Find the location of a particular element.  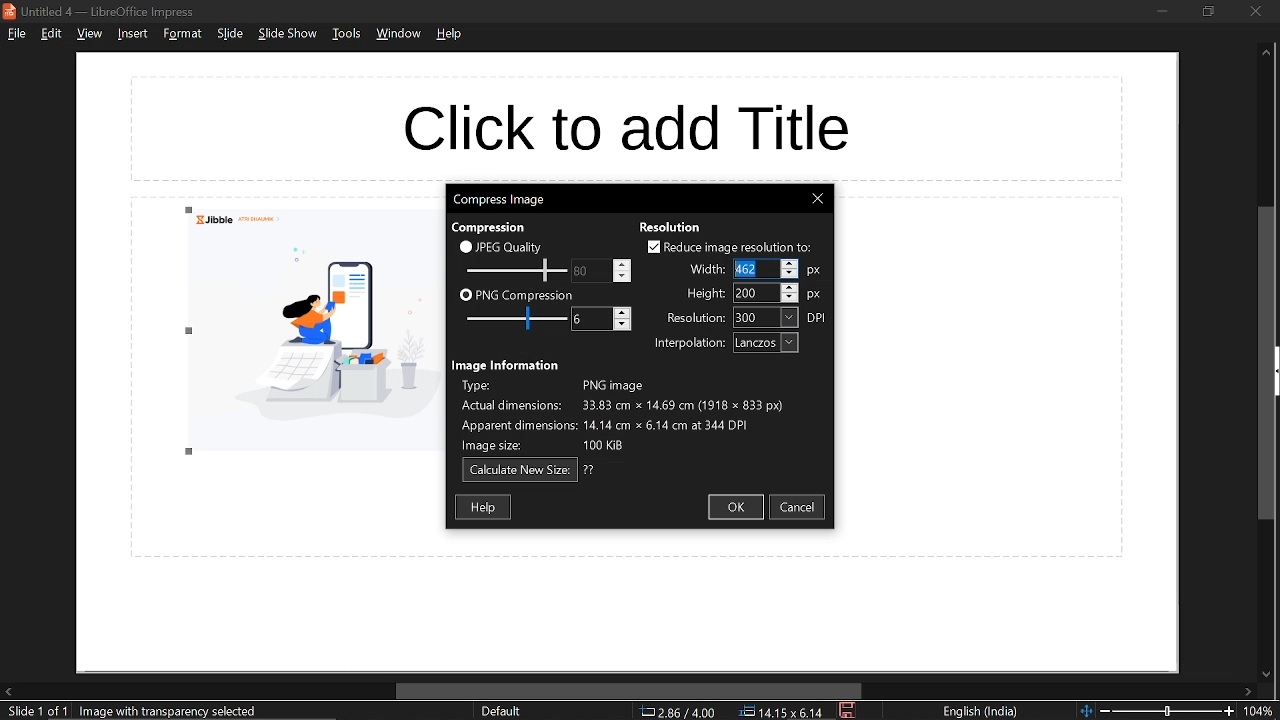

help is located at coordinates (485, 506).